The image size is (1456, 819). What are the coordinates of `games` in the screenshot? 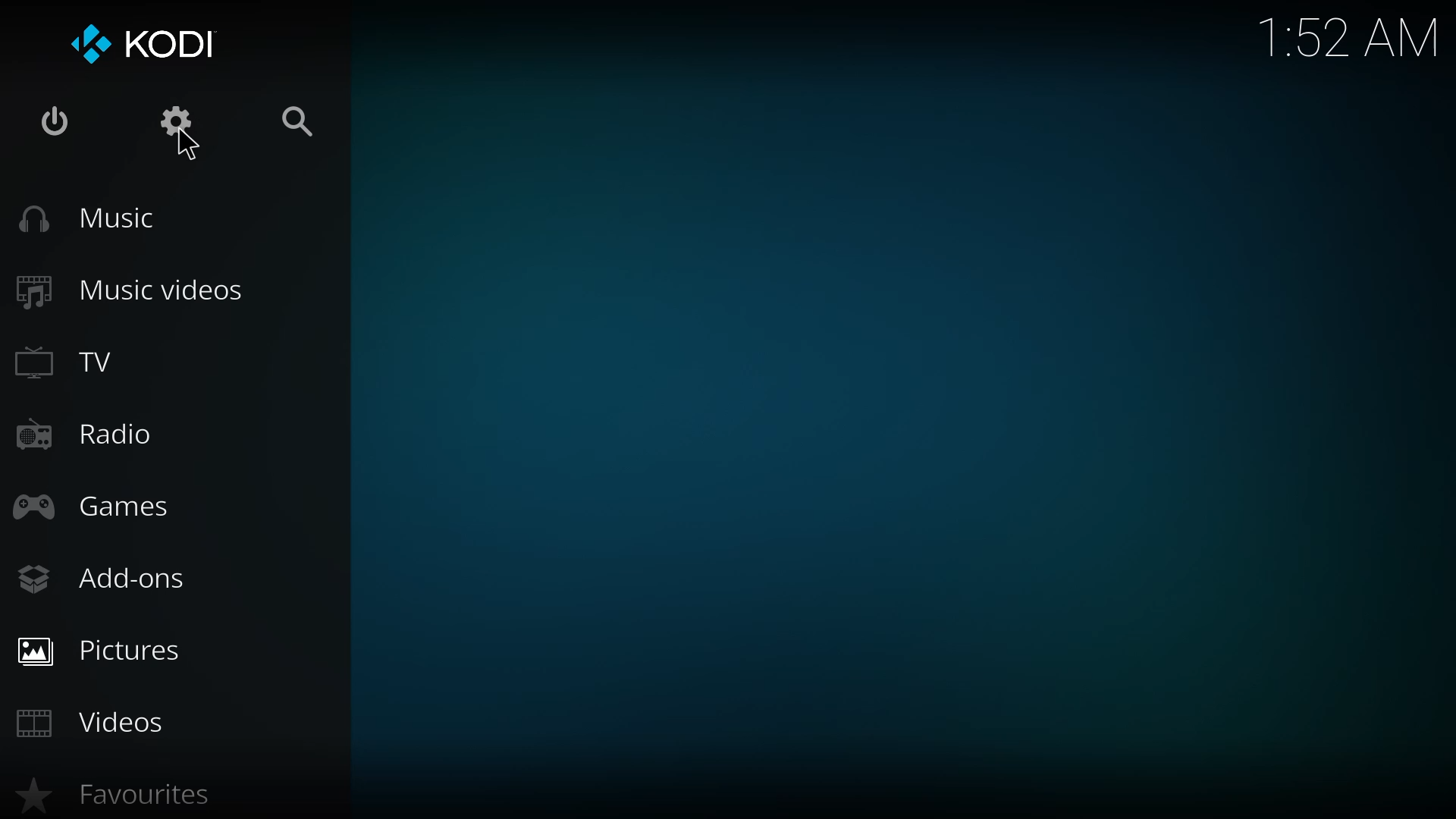 It's located at (94, 503).